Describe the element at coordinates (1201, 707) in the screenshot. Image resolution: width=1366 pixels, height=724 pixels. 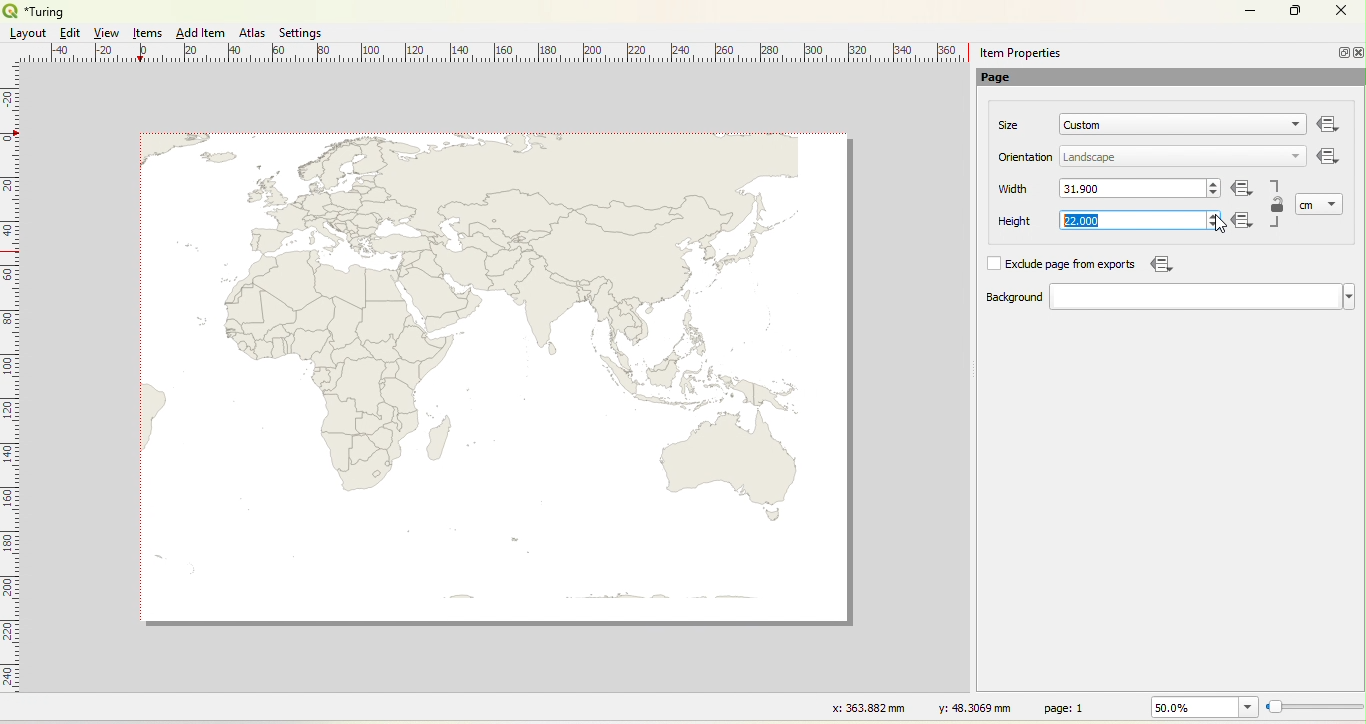
I see `50.0%` at that location.